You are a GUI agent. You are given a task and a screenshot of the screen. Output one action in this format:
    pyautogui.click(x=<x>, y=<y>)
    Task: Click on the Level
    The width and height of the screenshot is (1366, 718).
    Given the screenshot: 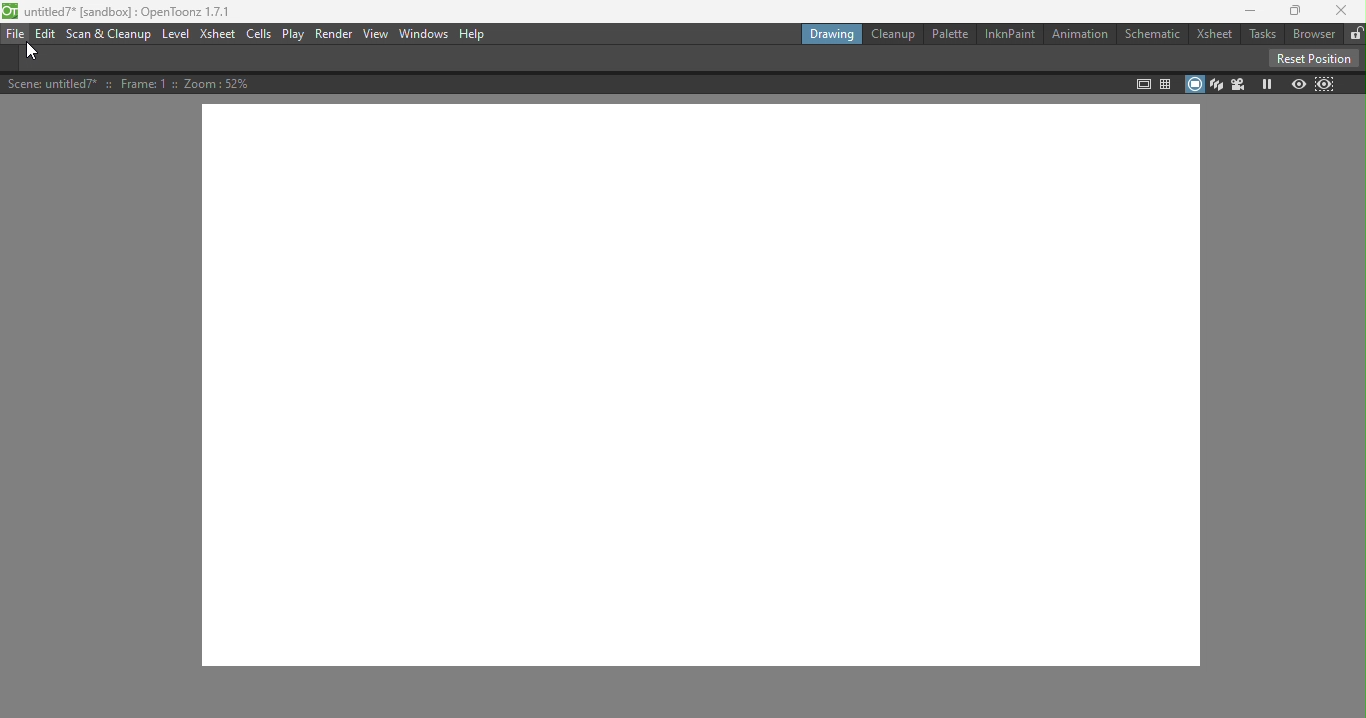 What is the action you would take?
    pyautogui.click(x=175, y=35)
    